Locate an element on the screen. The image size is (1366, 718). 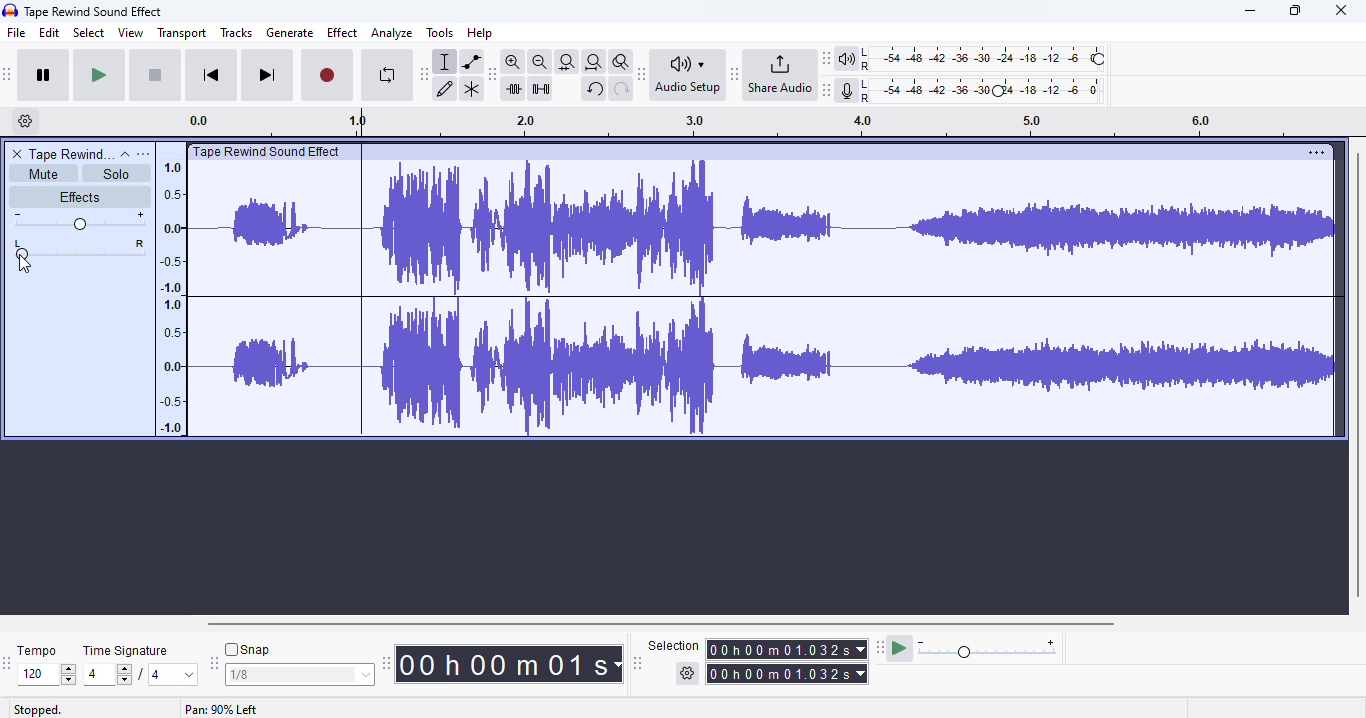
pan is located at coordinates (91, 249).